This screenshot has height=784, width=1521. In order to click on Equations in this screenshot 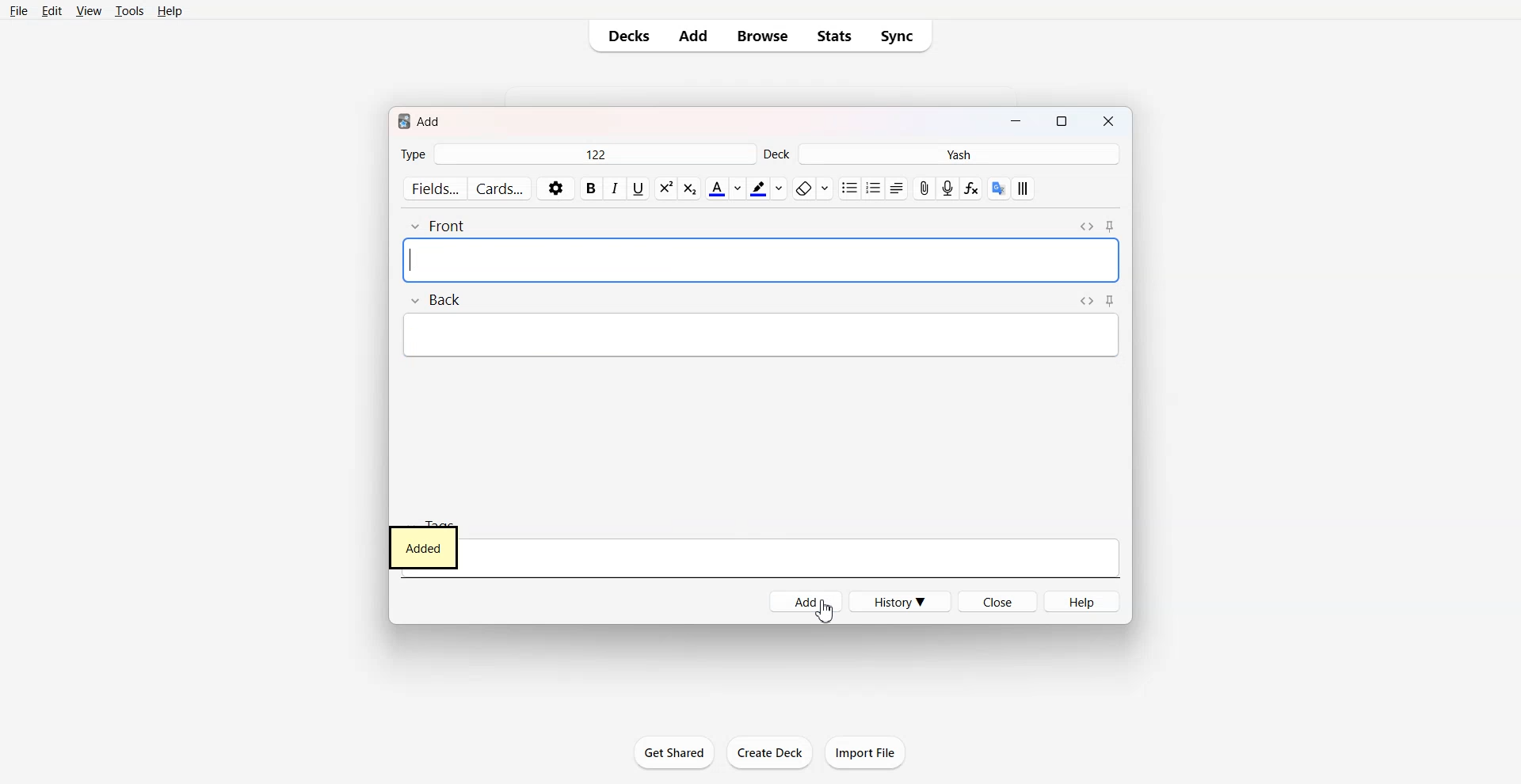, I will do `click(971, 188)`.